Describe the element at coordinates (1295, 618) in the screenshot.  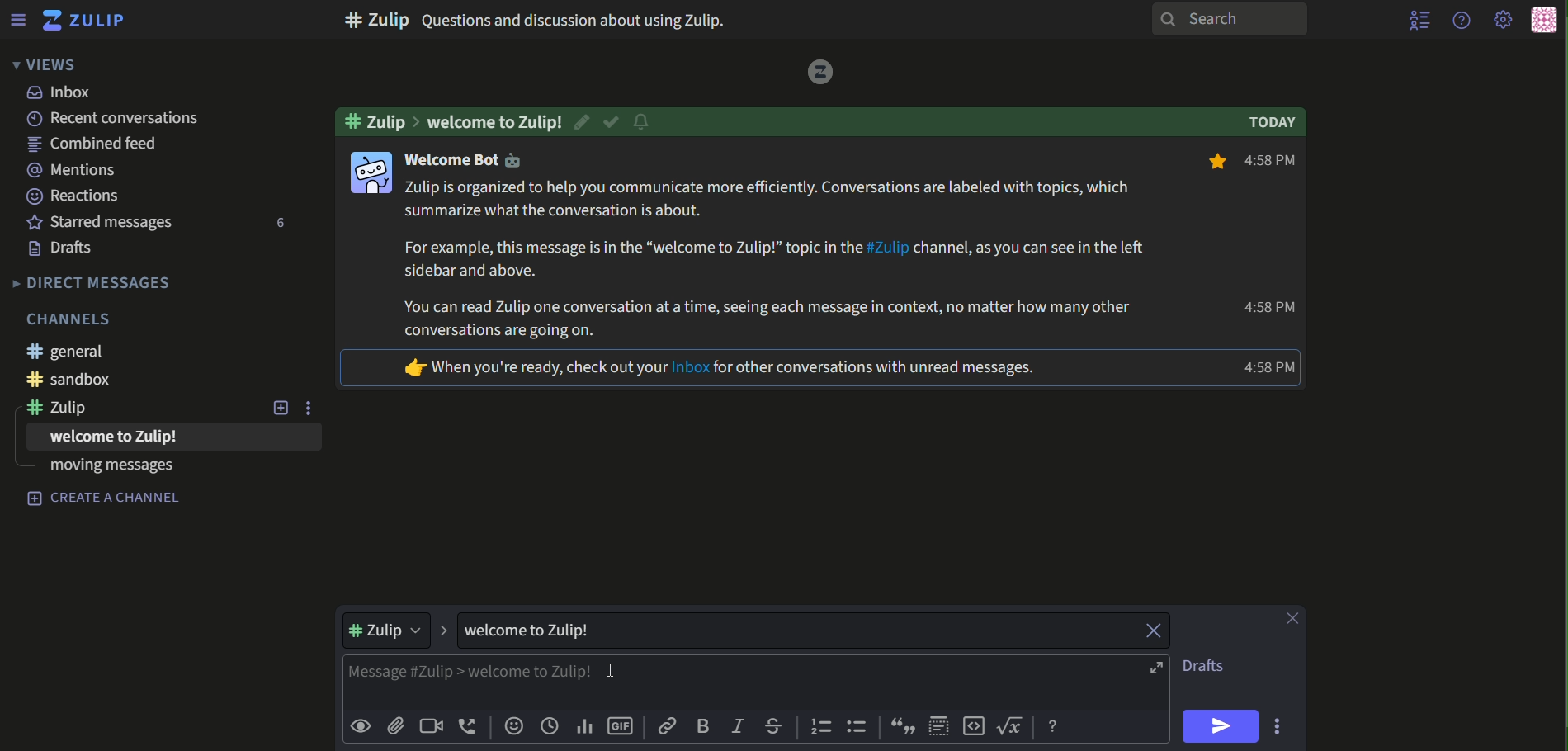
I see `close` at that location.